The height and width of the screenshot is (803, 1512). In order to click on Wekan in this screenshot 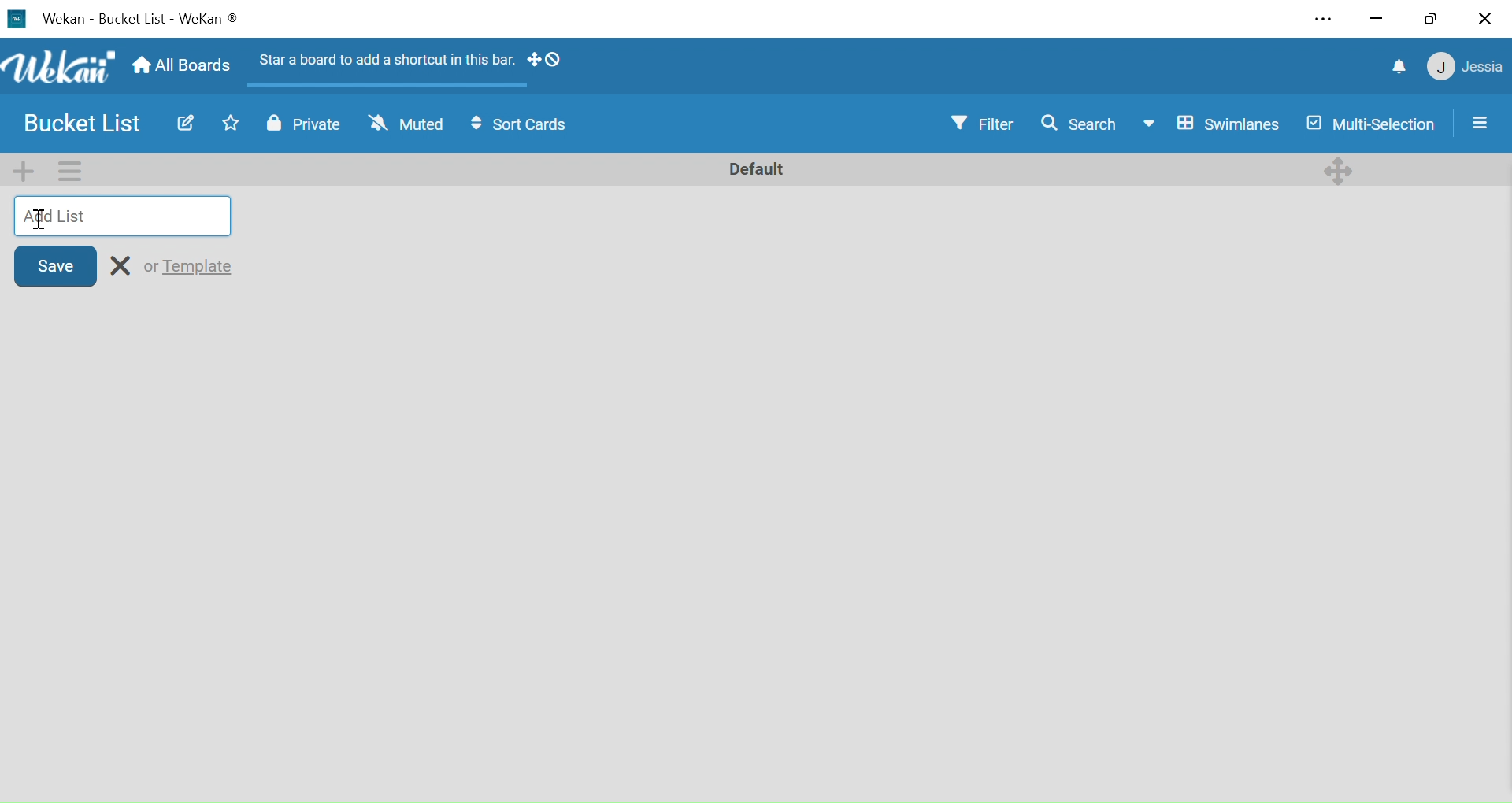, I will do `click(209, 20)`.